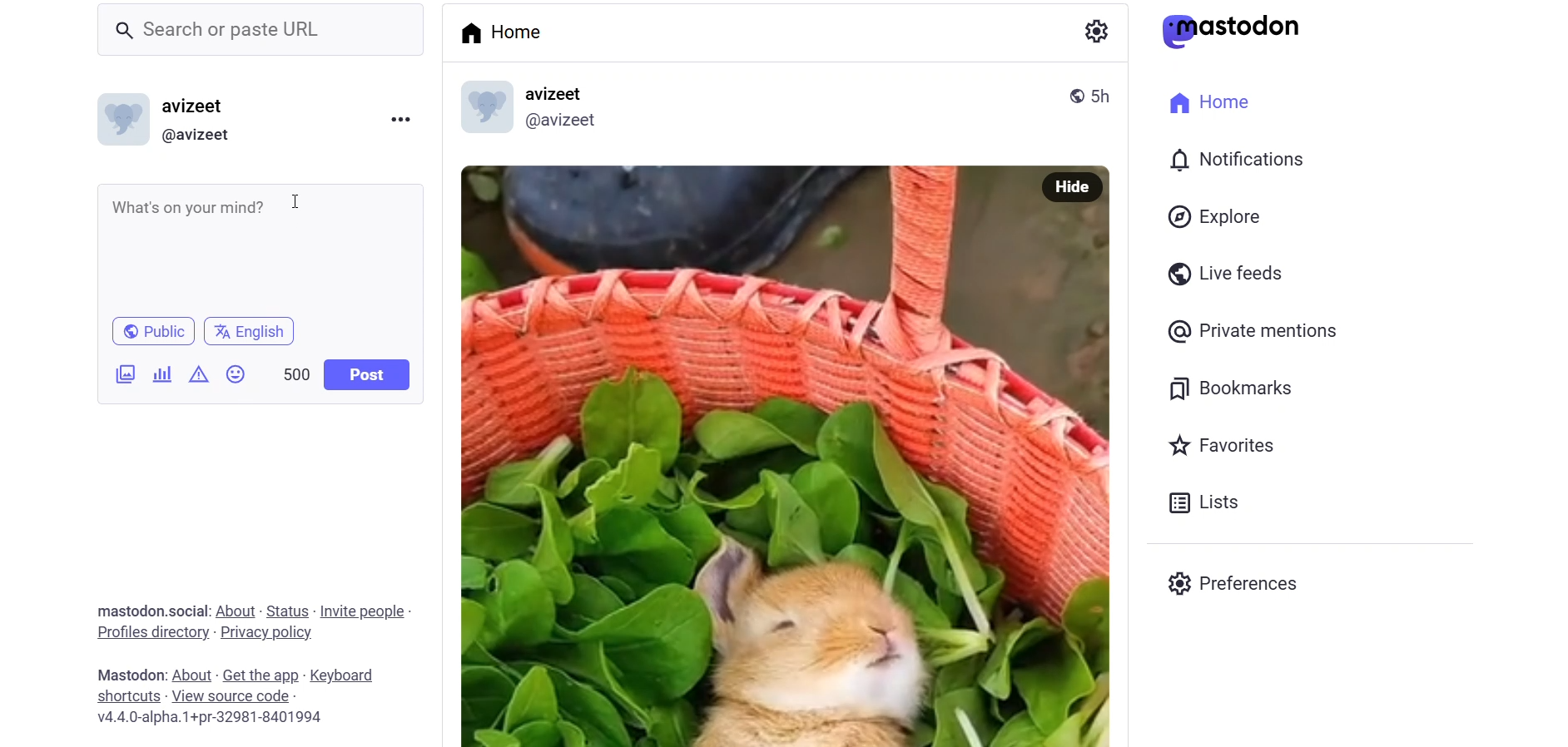 Image resolution: width=1568 pixels, height=747 pixels. Describe the element at coordinates (252, 331) in the screenshot. I see `language` at that location.